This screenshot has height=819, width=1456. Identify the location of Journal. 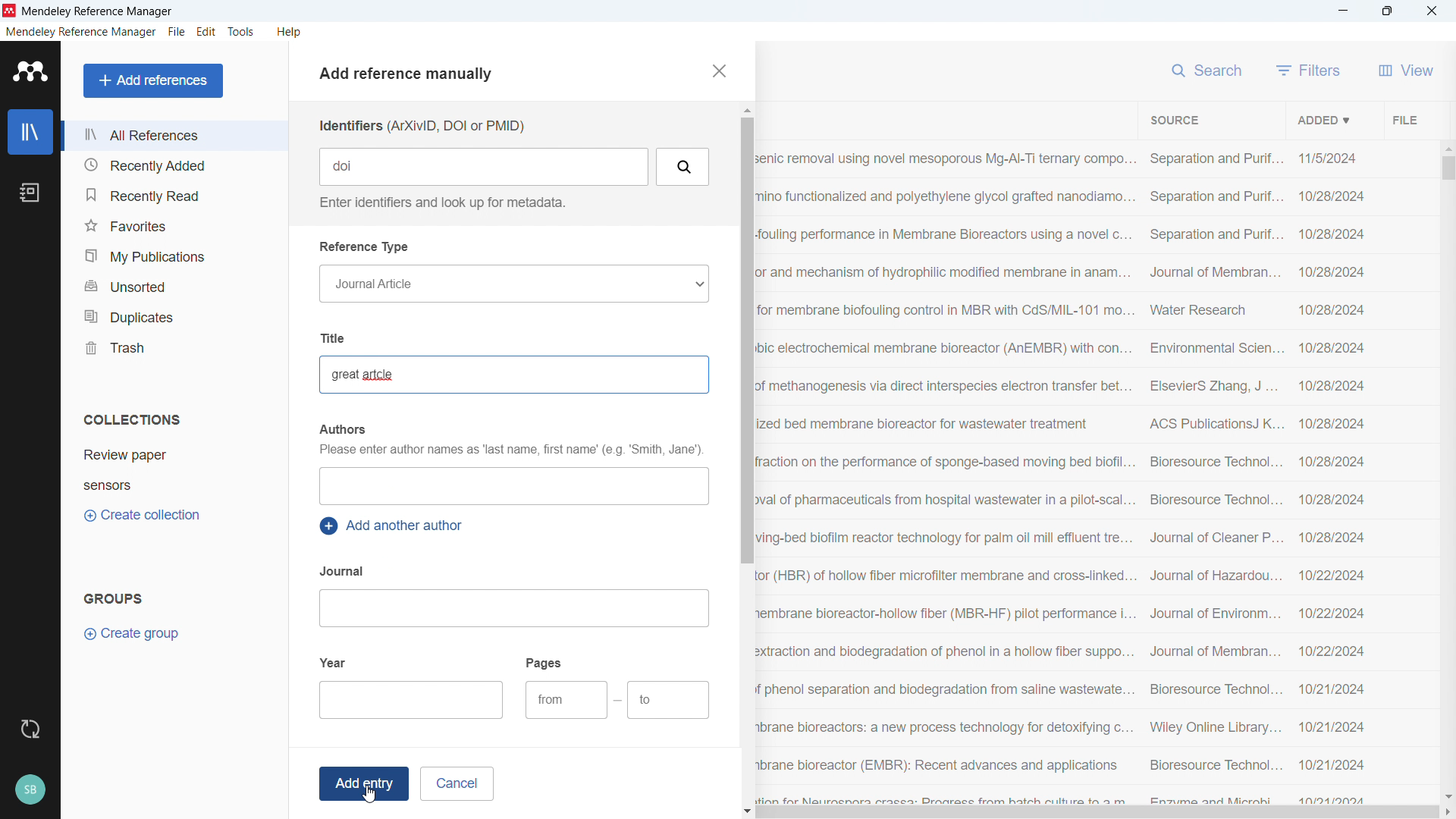
(344, 571).